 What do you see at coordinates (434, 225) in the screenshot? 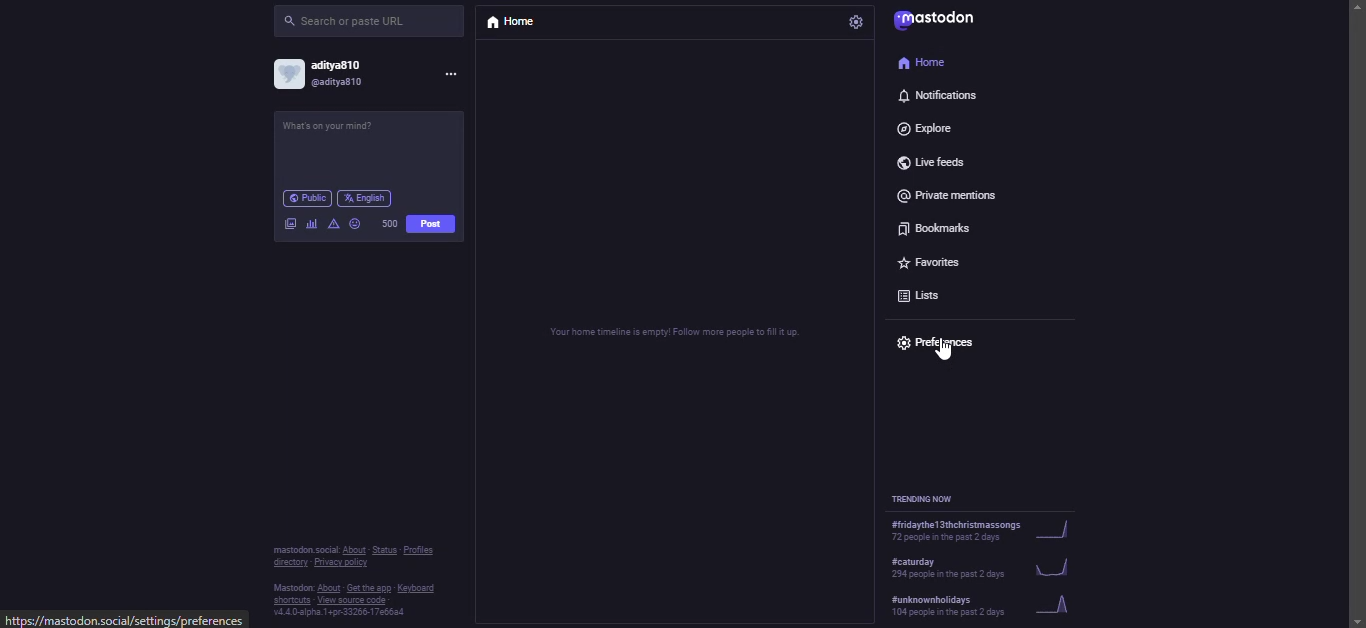
I see `post` at bounding box center [434, 225].